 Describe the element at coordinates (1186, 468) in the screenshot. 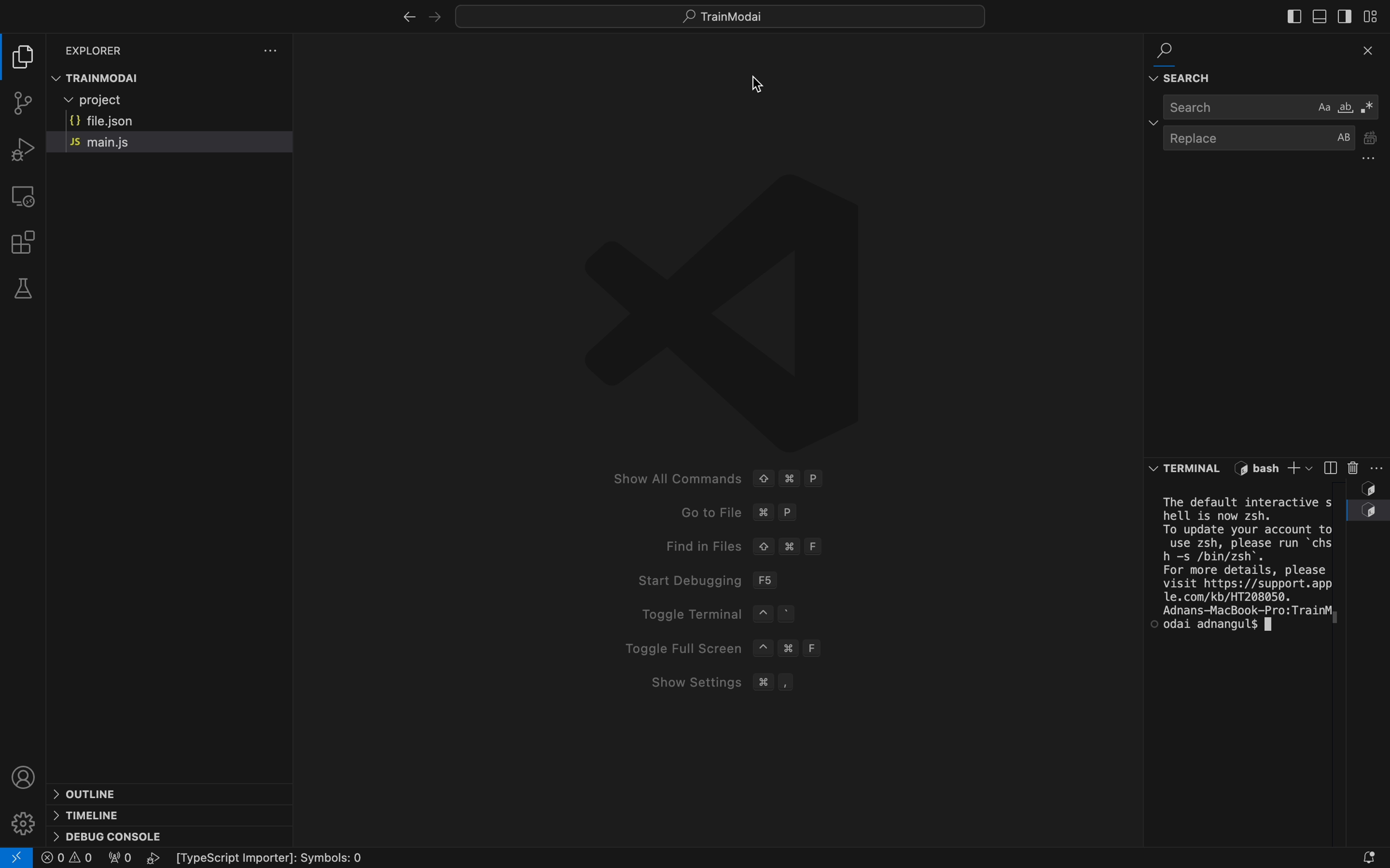

I see `` at that location.